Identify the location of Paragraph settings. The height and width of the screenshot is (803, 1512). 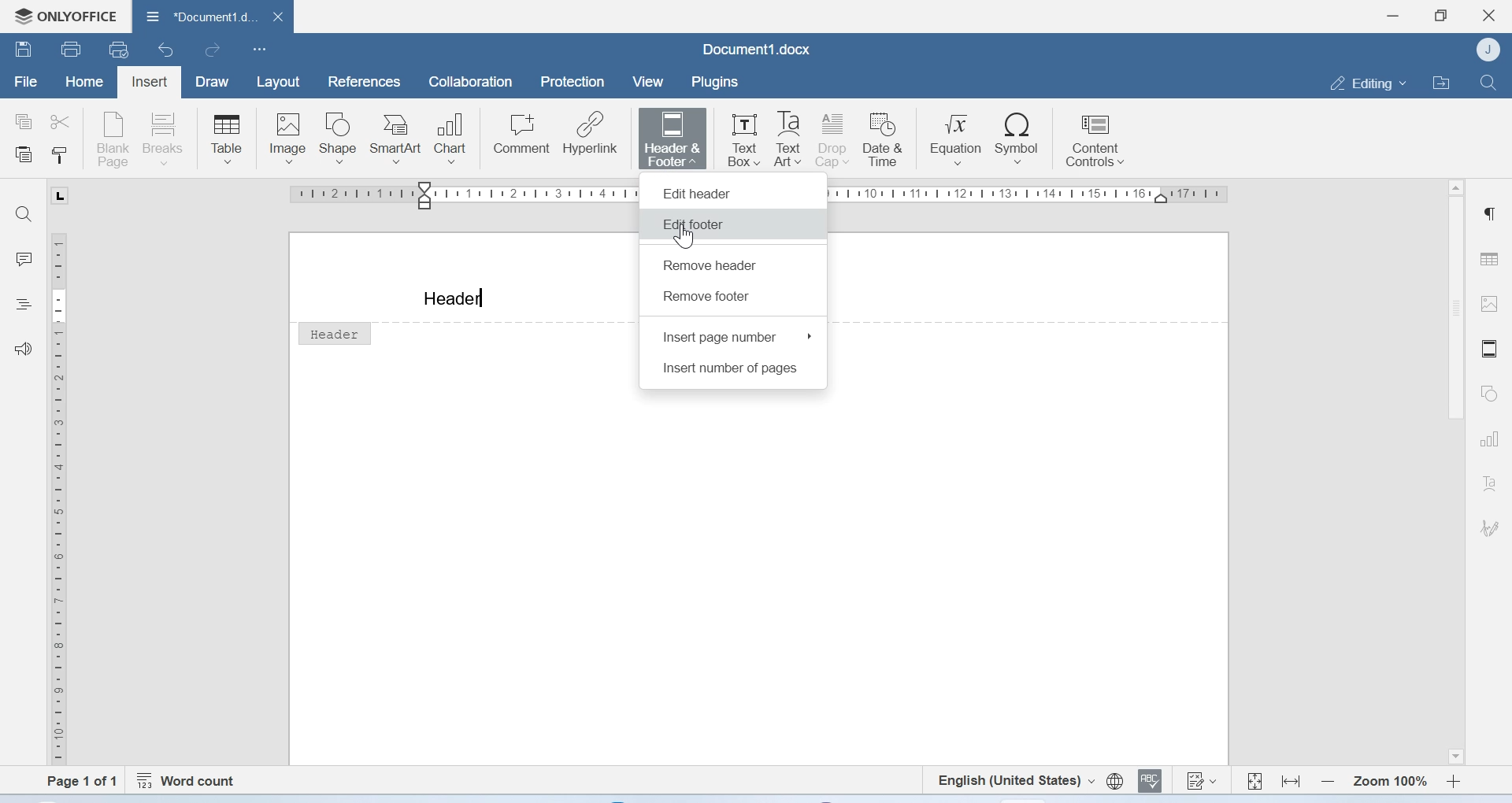
(1492, 214).